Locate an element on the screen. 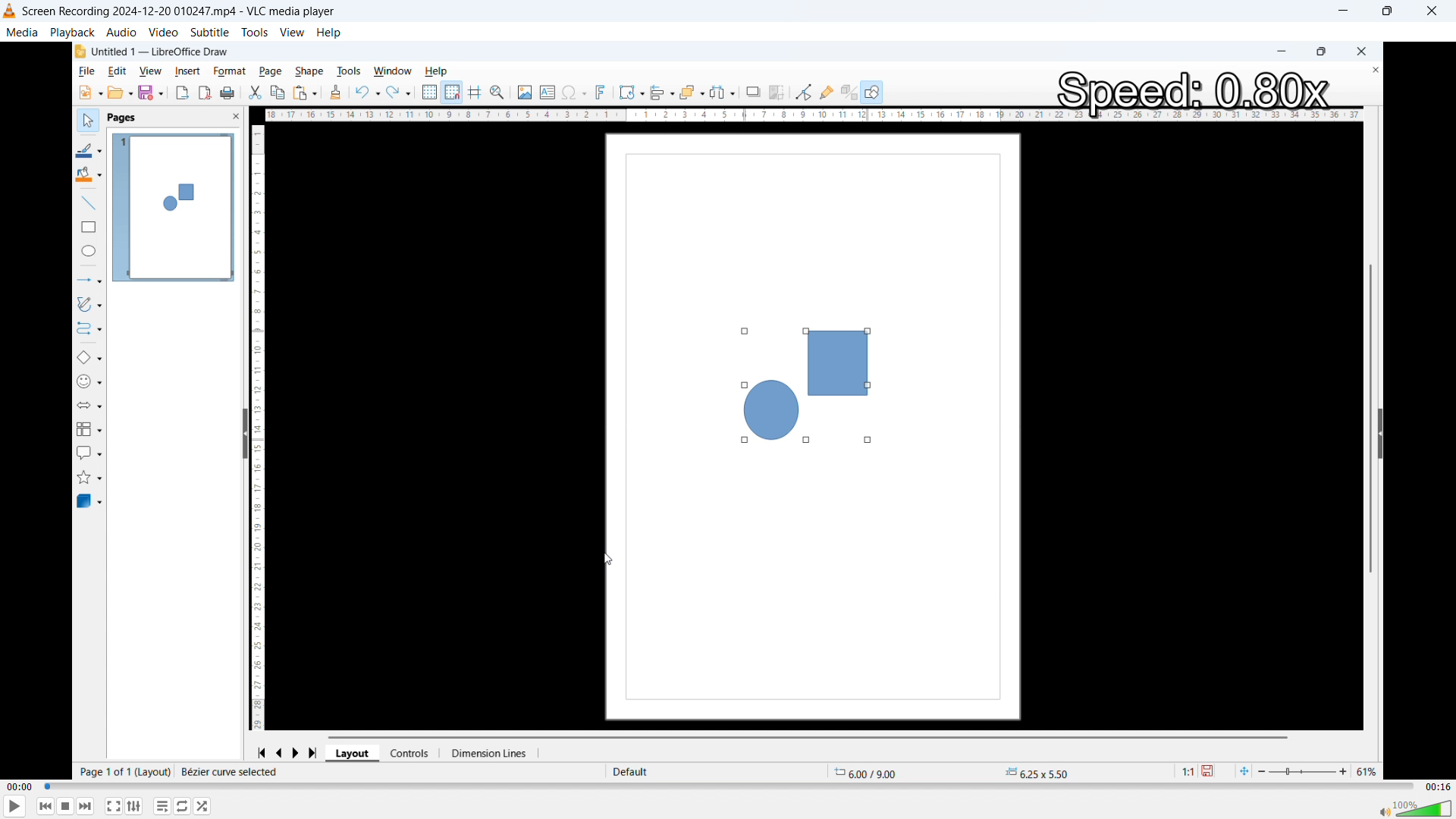 The image size is (1456, 819). time bar  is located at coordinates (729, 786).